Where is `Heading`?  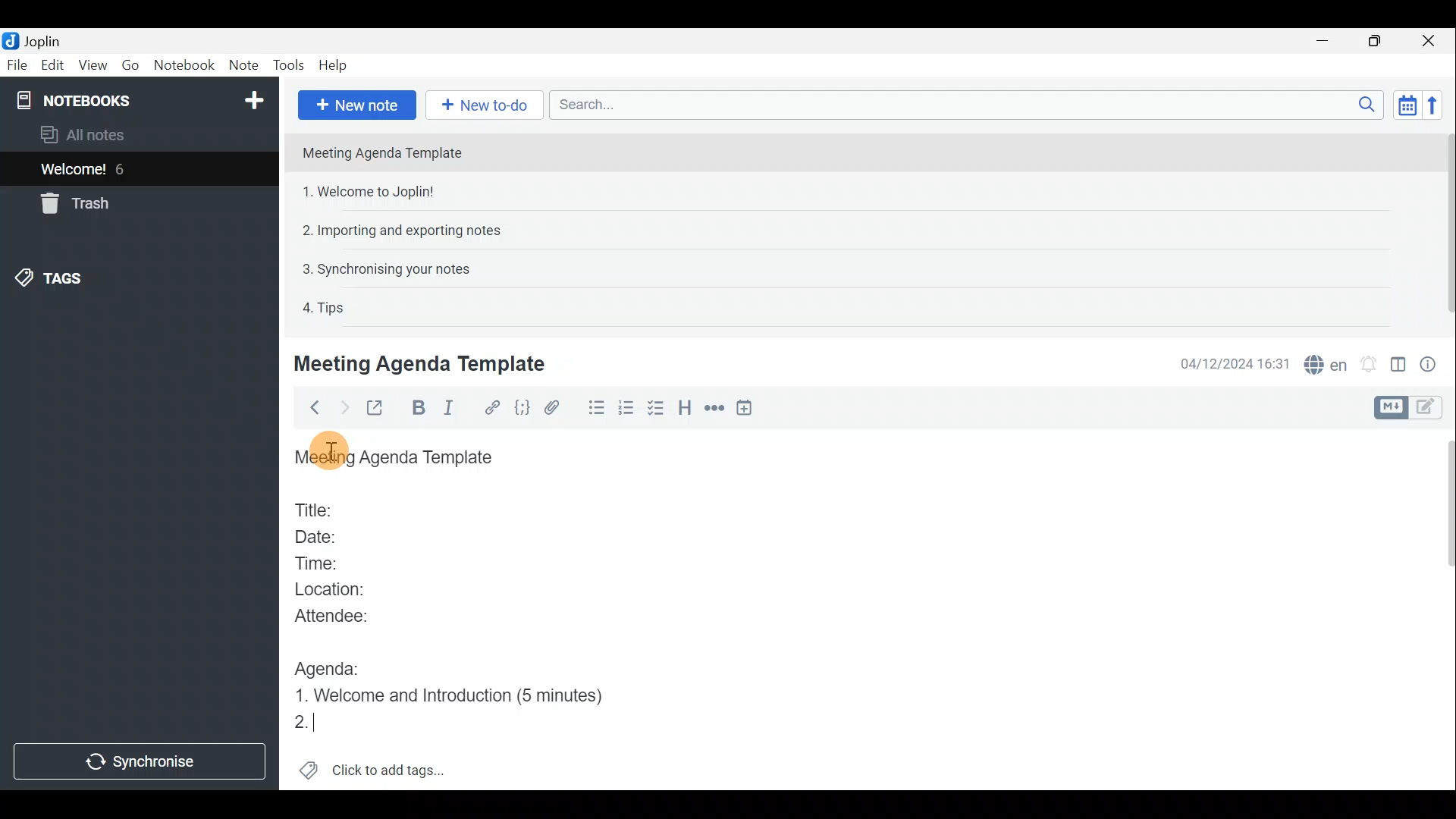
Heading is located at coordinates (684, 413).